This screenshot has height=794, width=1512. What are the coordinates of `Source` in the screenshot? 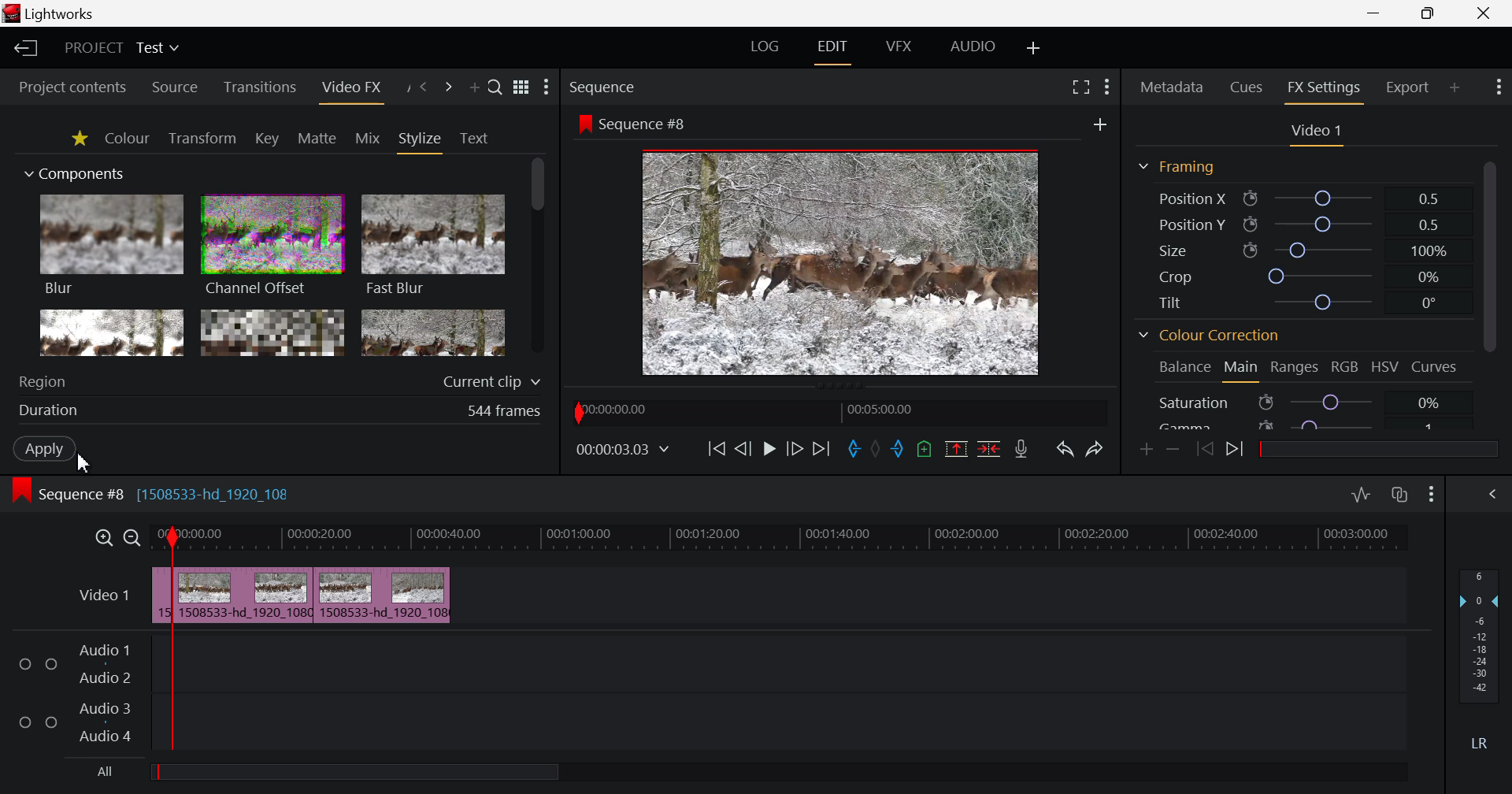 It's located at (176, 87).